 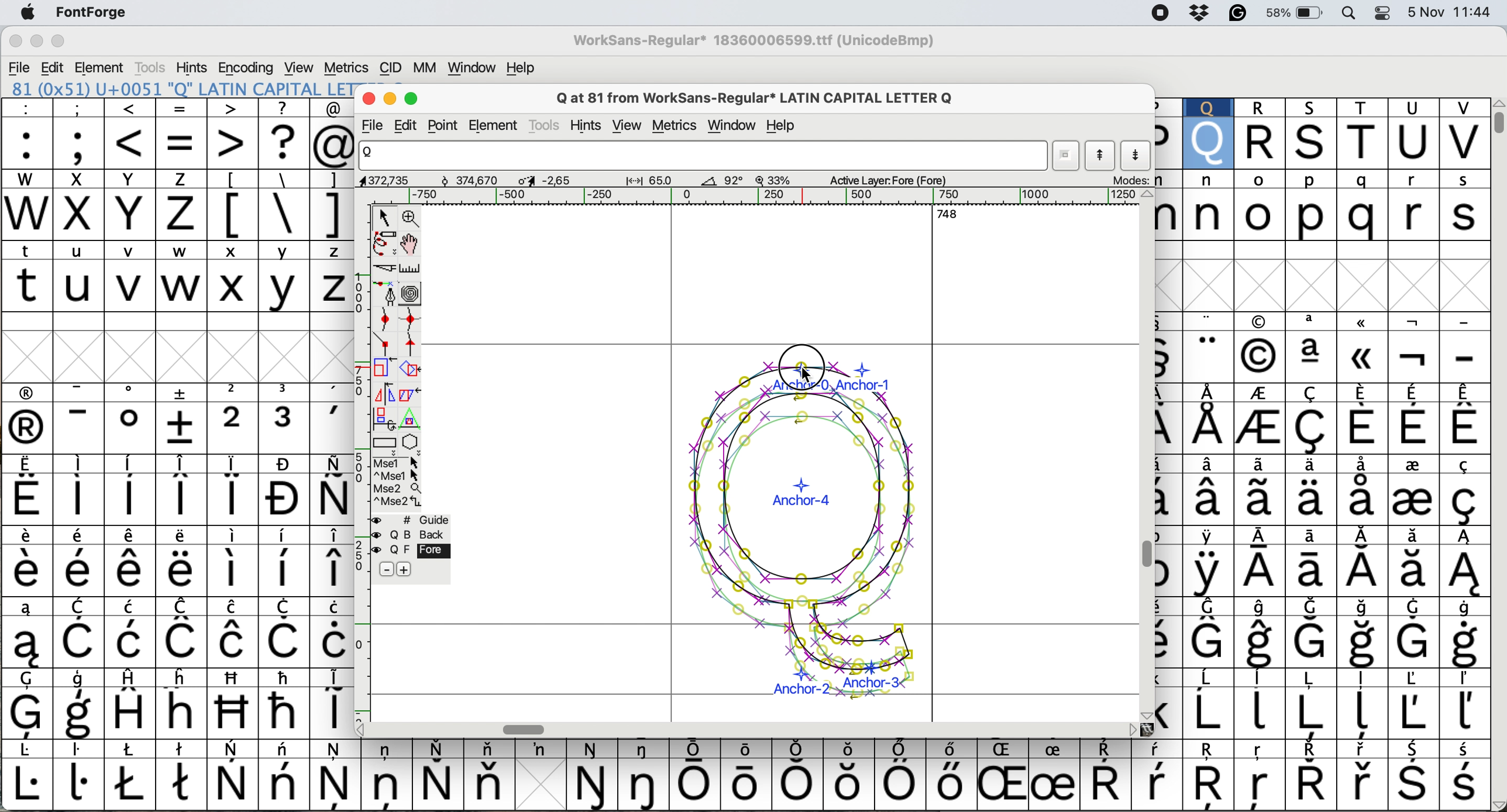 I want to click on file, so click(x=20, y=64).